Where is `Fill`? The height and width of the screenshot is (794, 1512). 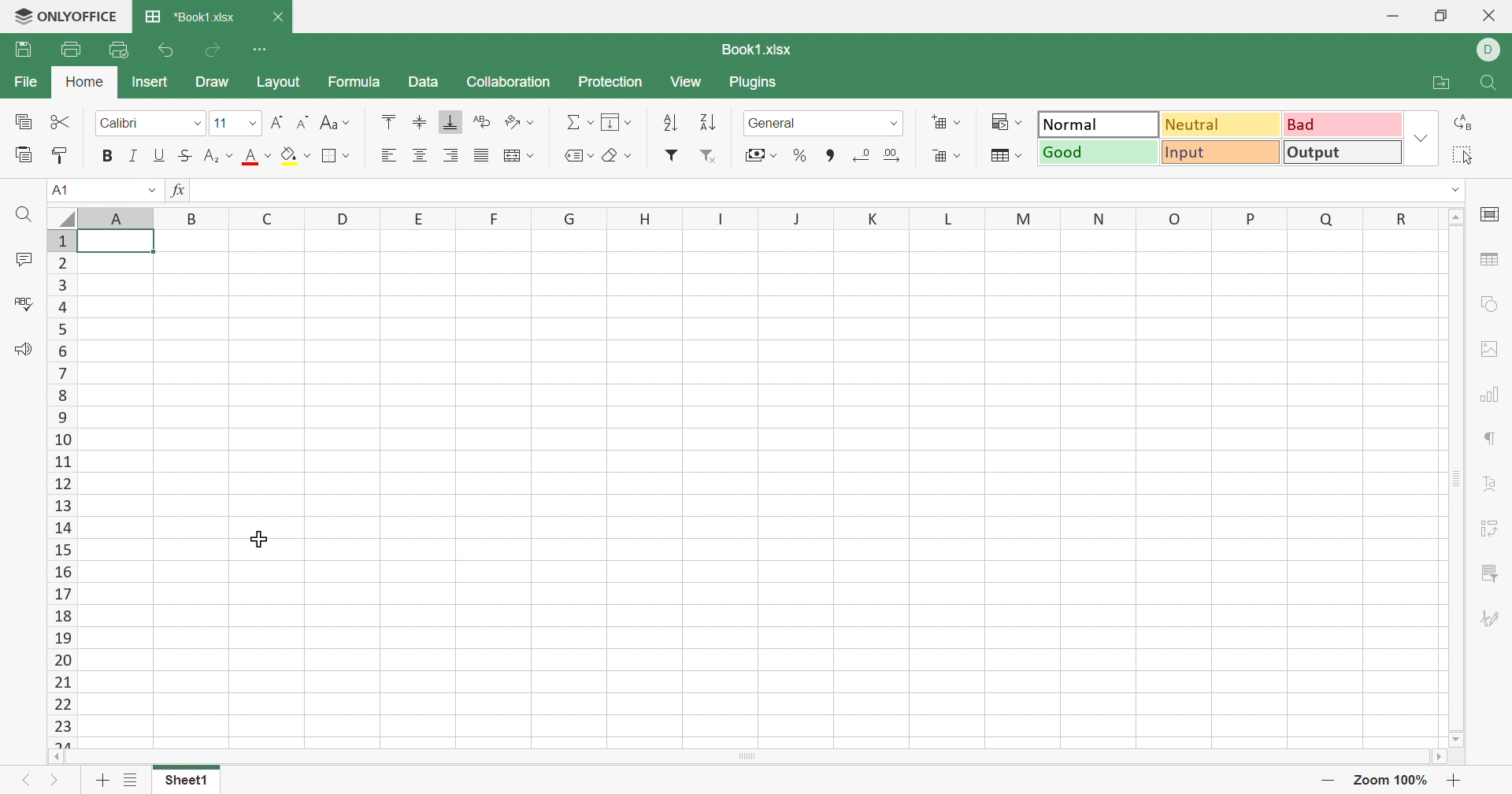
Fill is located at coordinates (613, 122).